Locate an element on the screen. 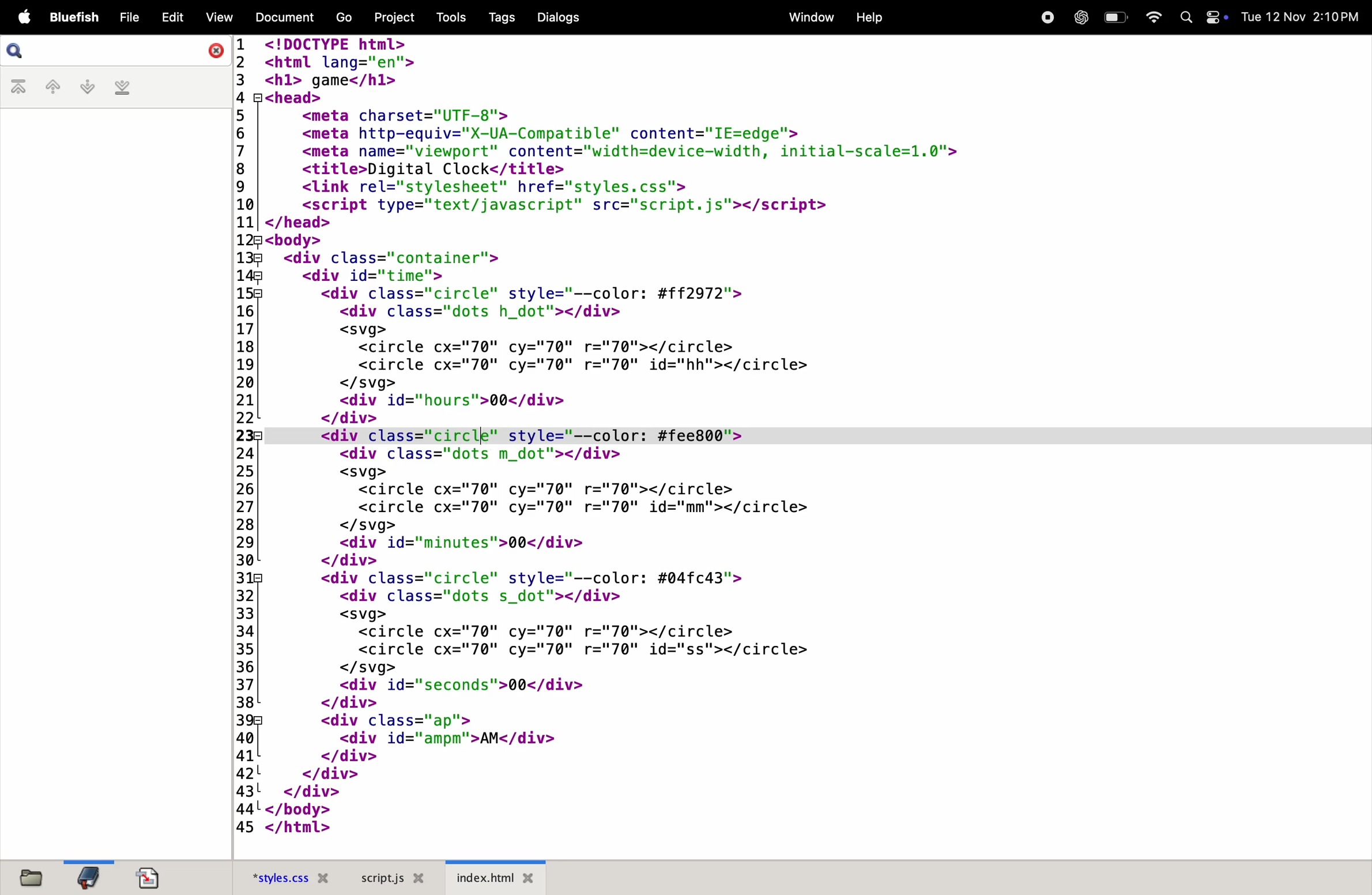 Image resolution: width=1372 pixels, height=895 pixels. file is located at coordinates (128, 17).